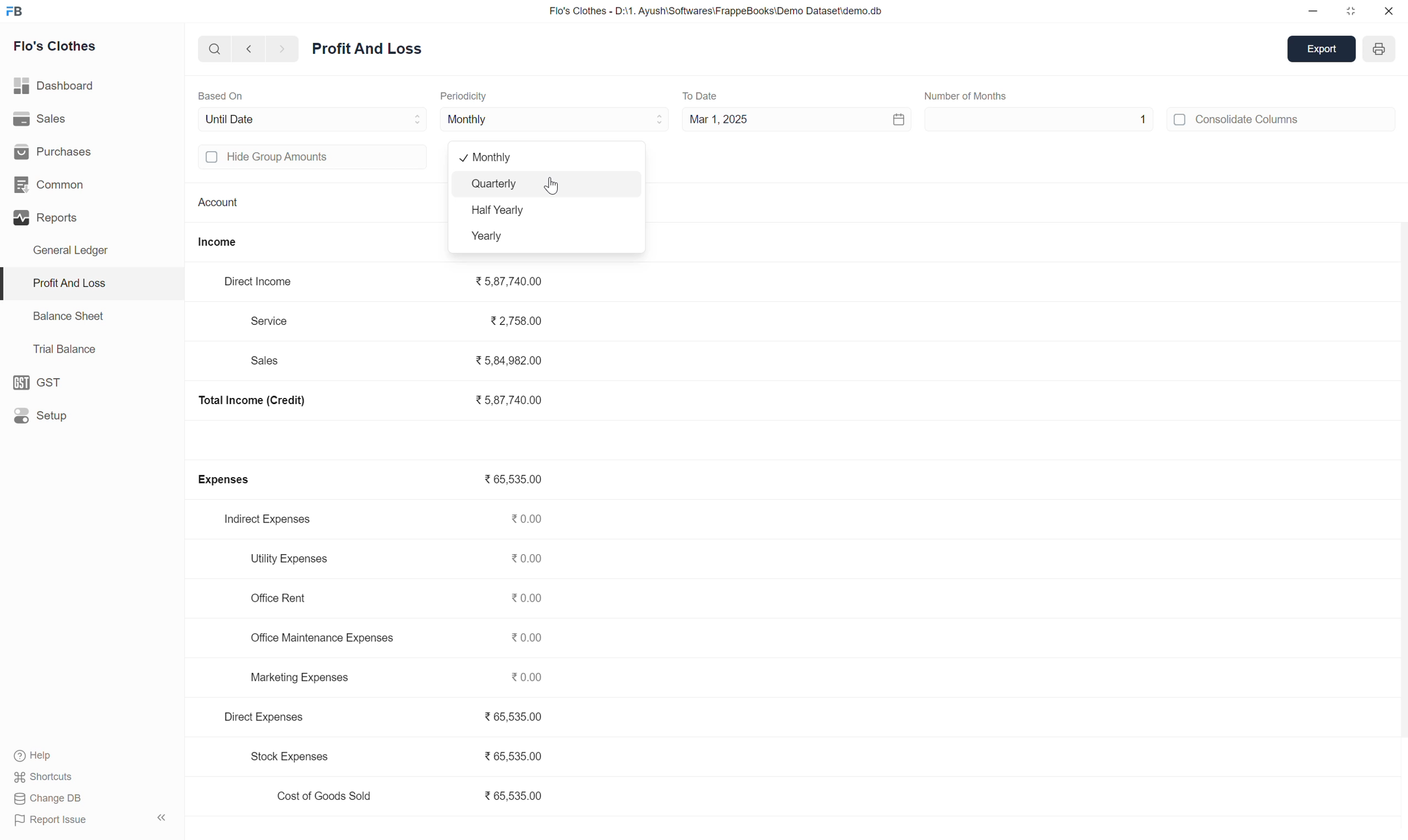  I want to click on ¥5,84,982.00, so click(511, 357).